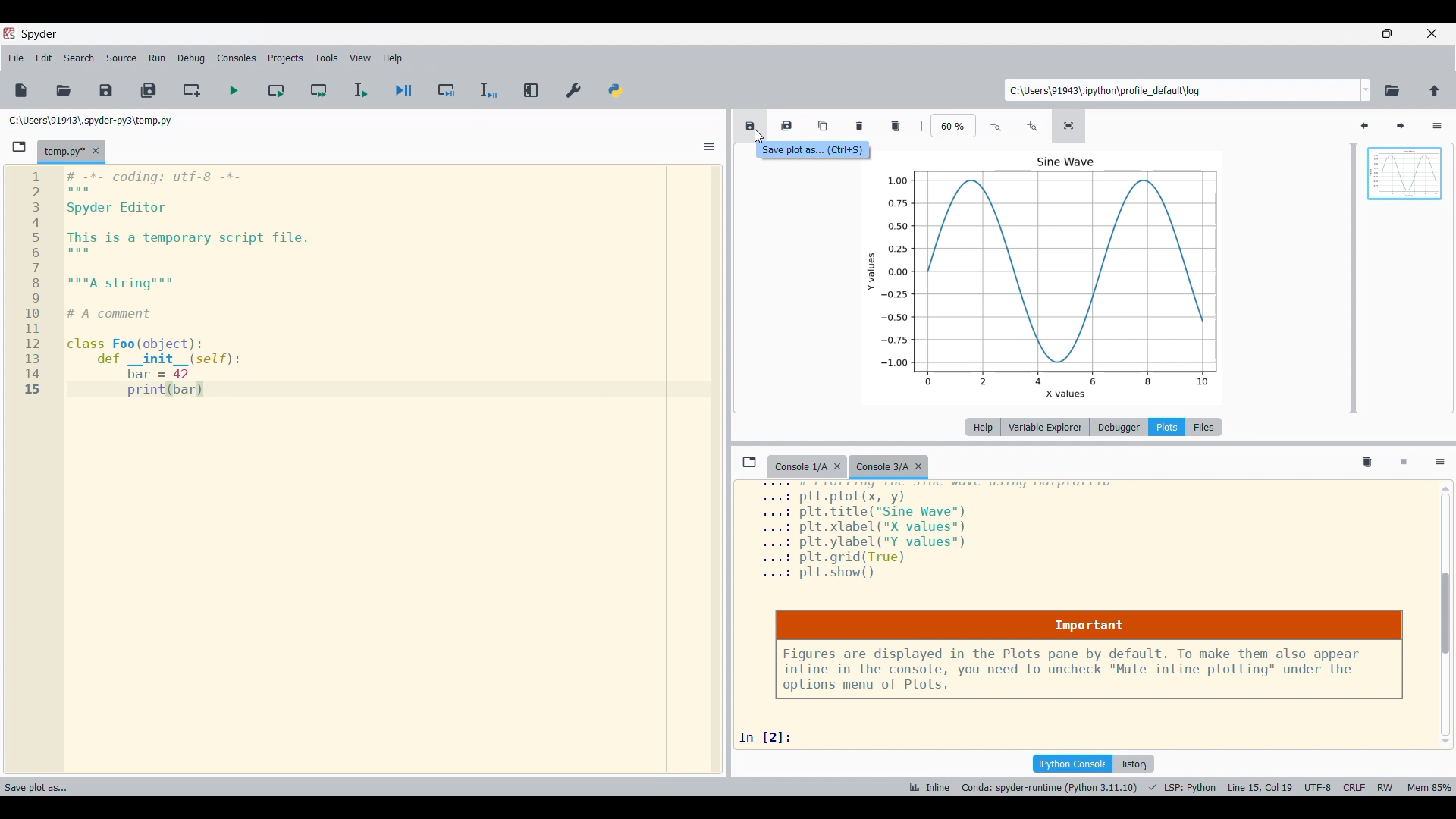 This screenshot has height=819, width=1456. What do you see at coordinates (771, 736) in the screenshot?
I see `input` at bounding box center [771, 736].